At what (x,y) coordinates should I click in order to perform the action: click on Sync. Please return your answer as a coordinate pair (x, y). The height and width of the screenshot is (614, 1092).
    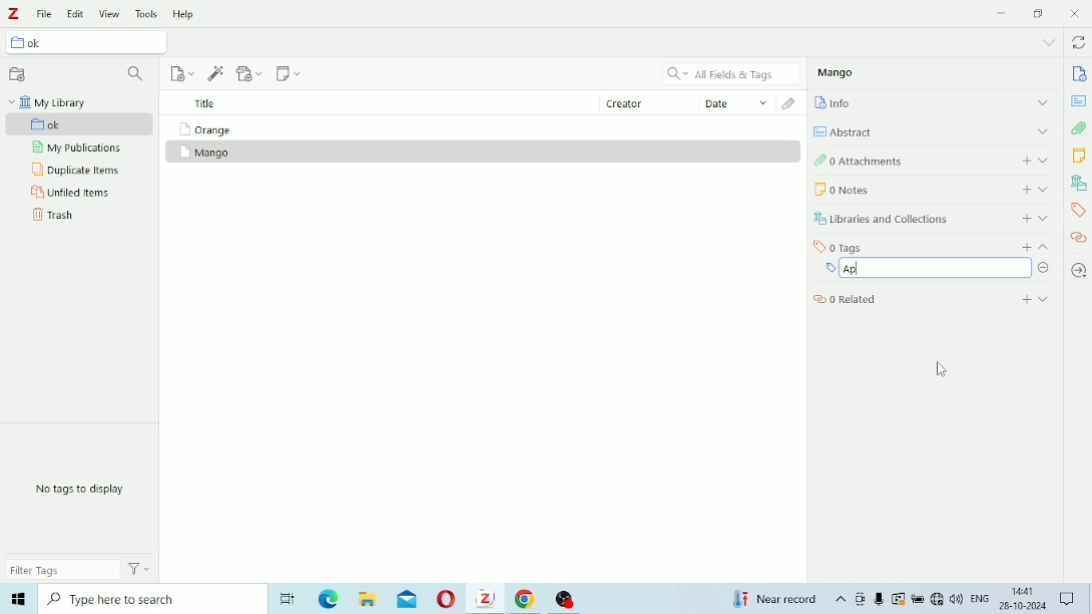
    Looking at the image, I should click on (1080, 43).